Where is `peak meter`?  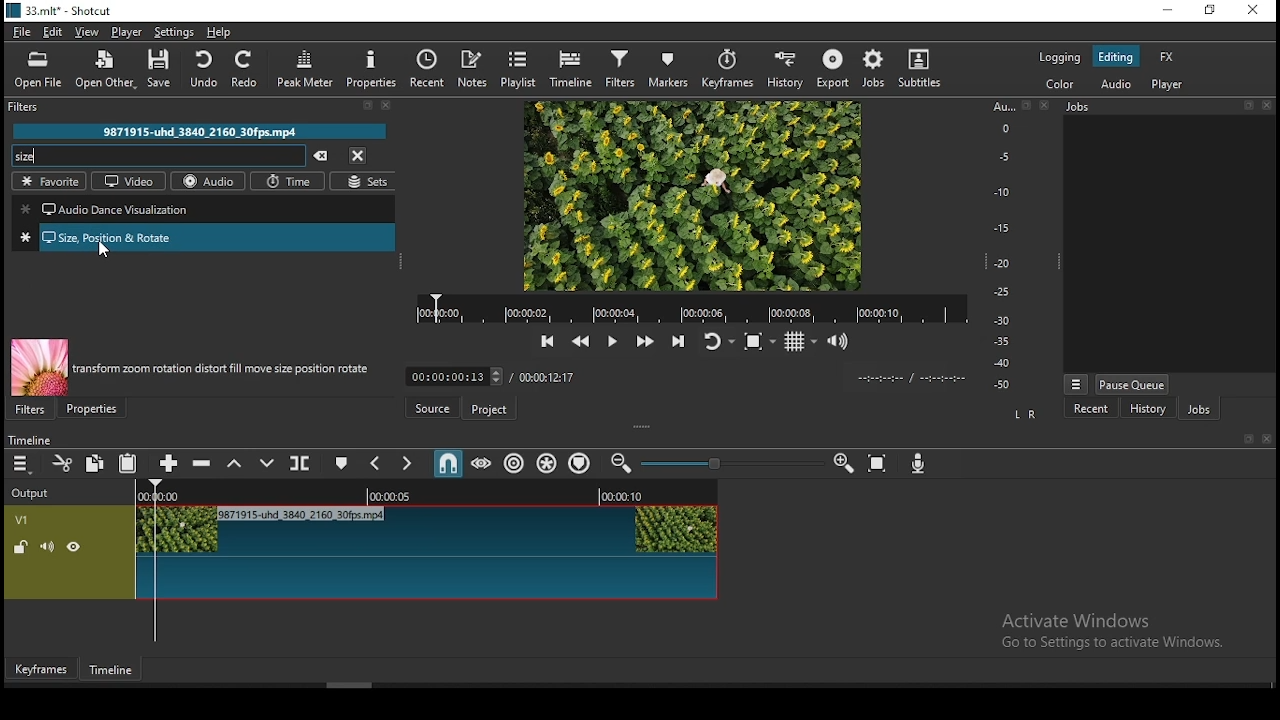 peak meter is located at coordinates (307, 68).